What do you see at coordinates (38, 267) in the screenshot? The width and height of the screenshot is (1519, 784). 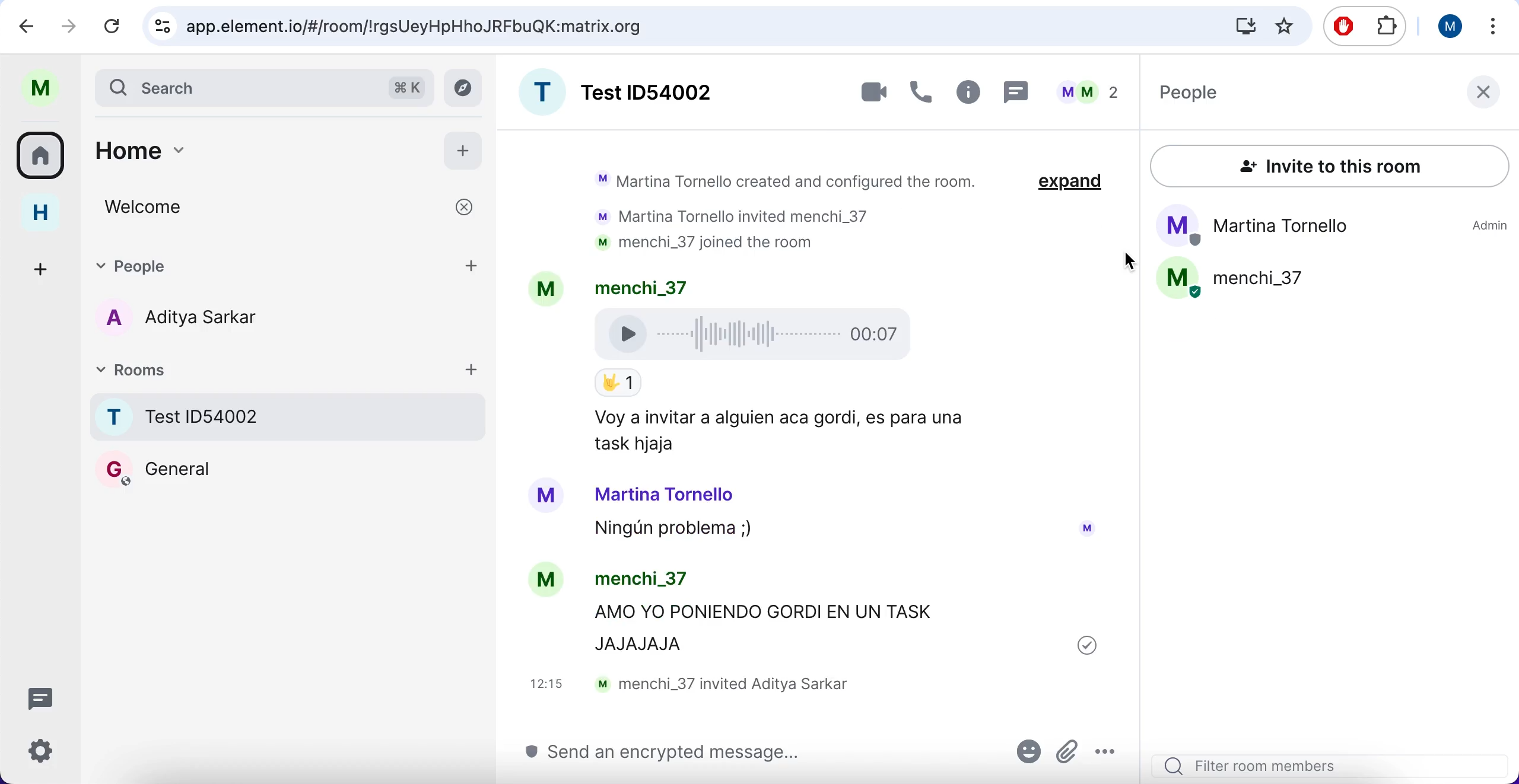 I see `add` at bounding box center [38, 267].